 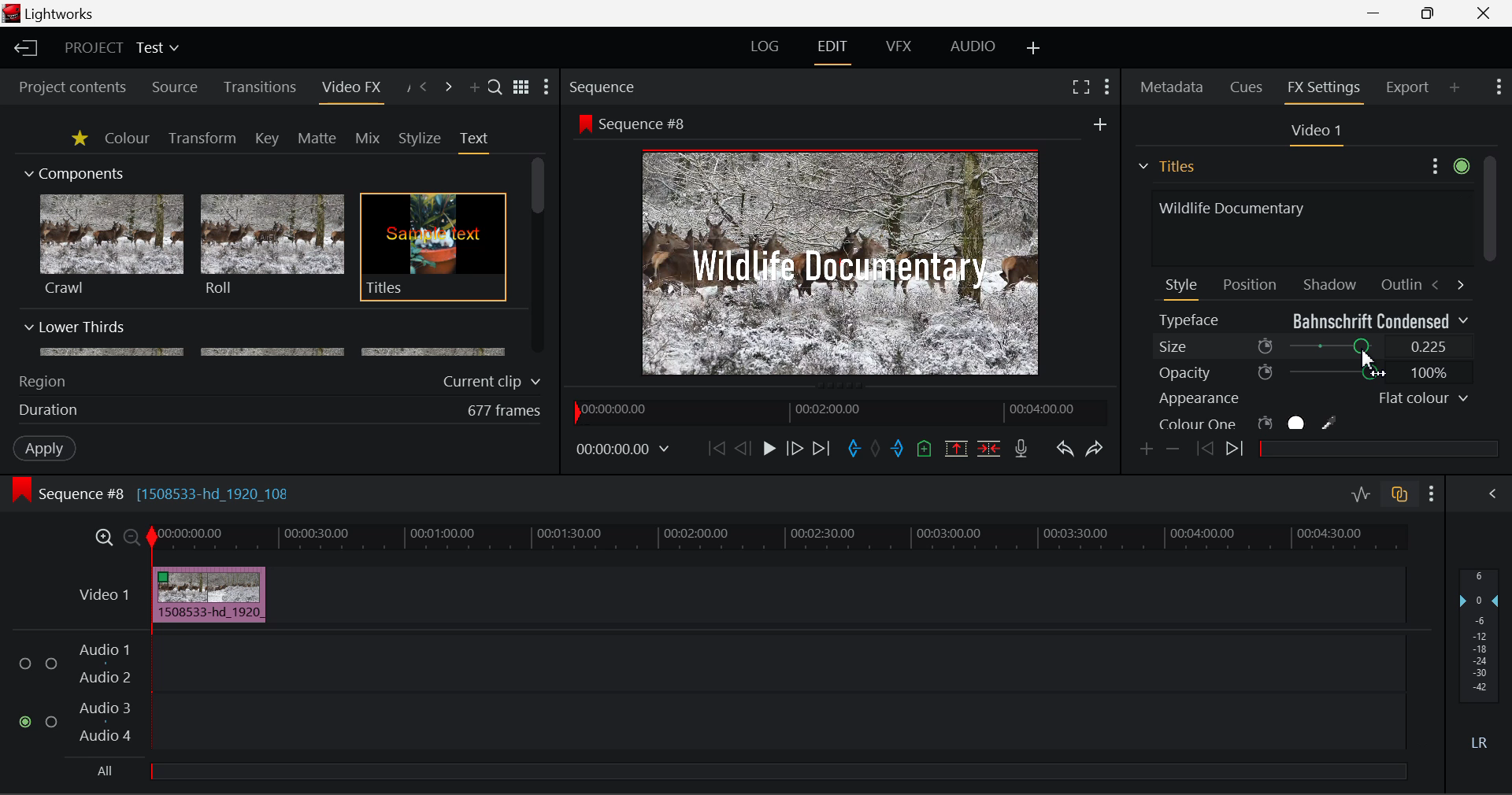 What do you see at coordinates (624, 451) in the screenshot?
I see `Frame Time` at bounding box center [624, 451].